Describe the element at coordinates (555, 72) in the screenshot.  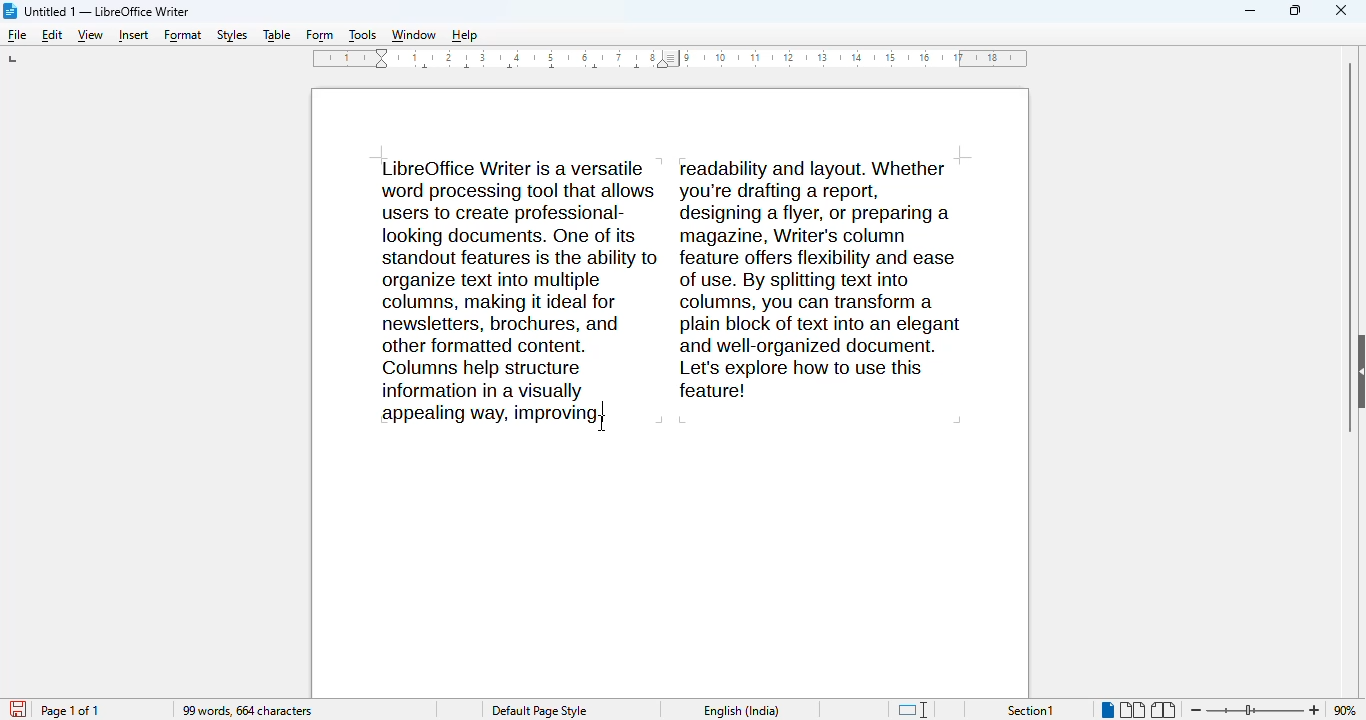
I see `center tab` at that location.